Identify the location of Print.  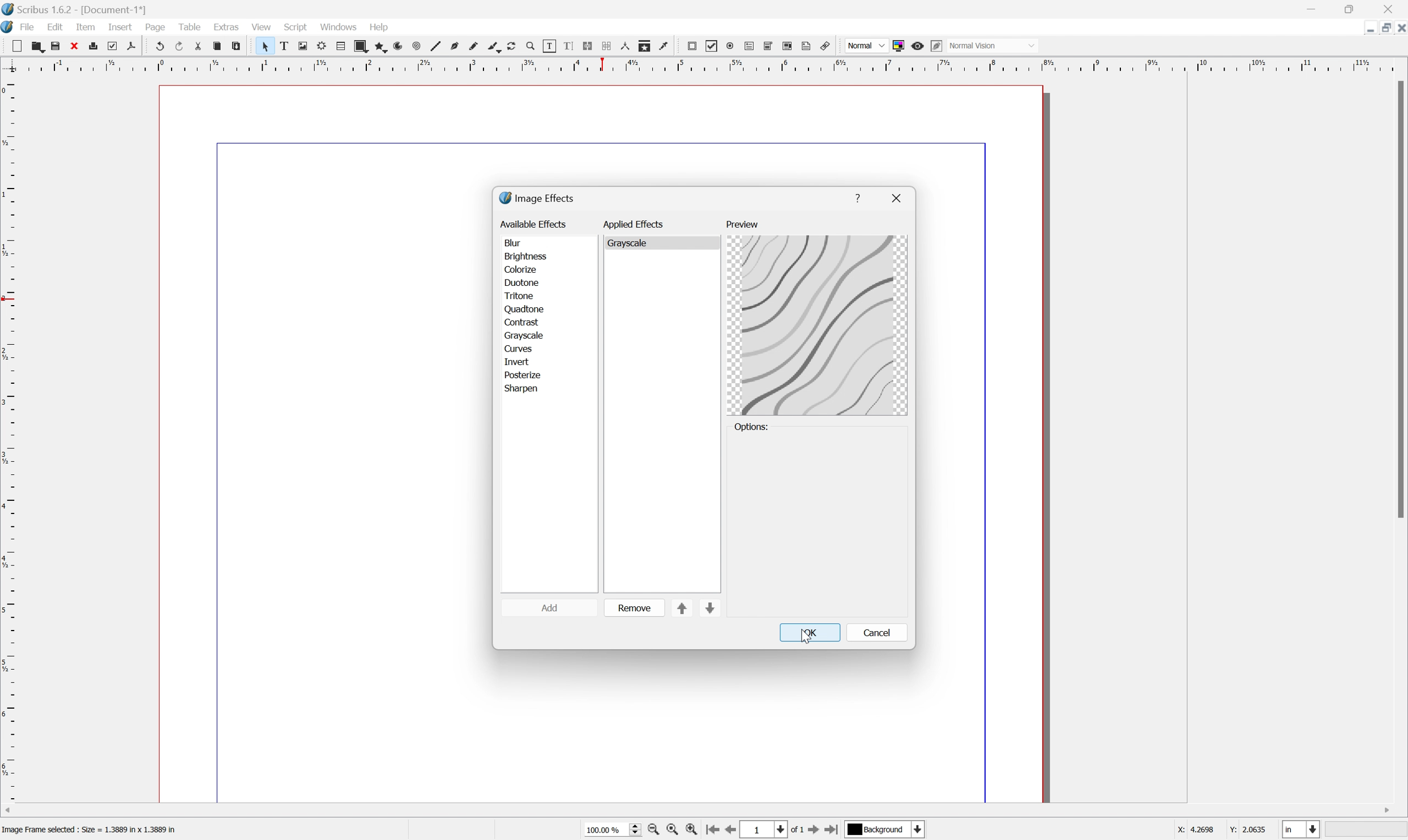
(97, 46).